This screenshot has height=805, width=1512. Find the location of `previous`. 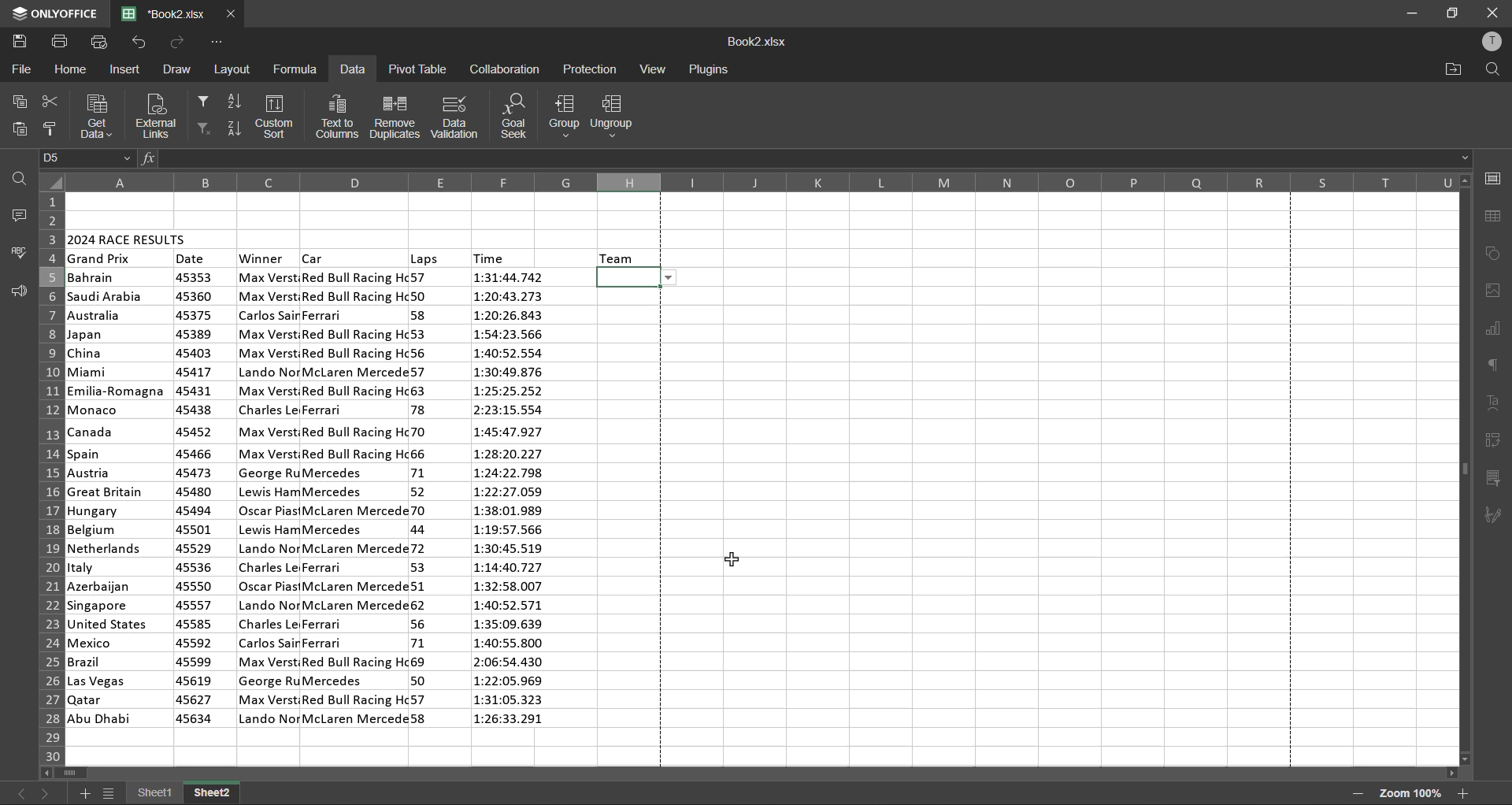

previous is located at coordinates (20, 792).